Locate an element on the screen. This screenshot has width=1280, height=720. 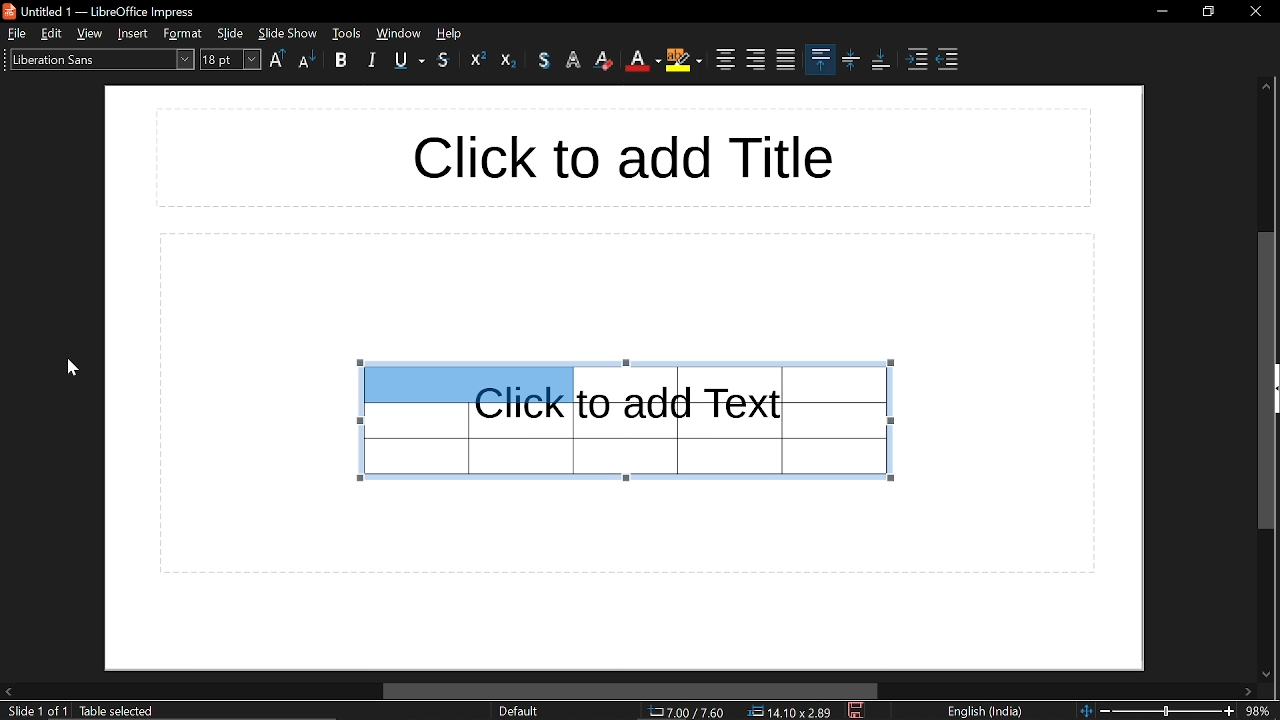
help is located at coordinates (452, 33).